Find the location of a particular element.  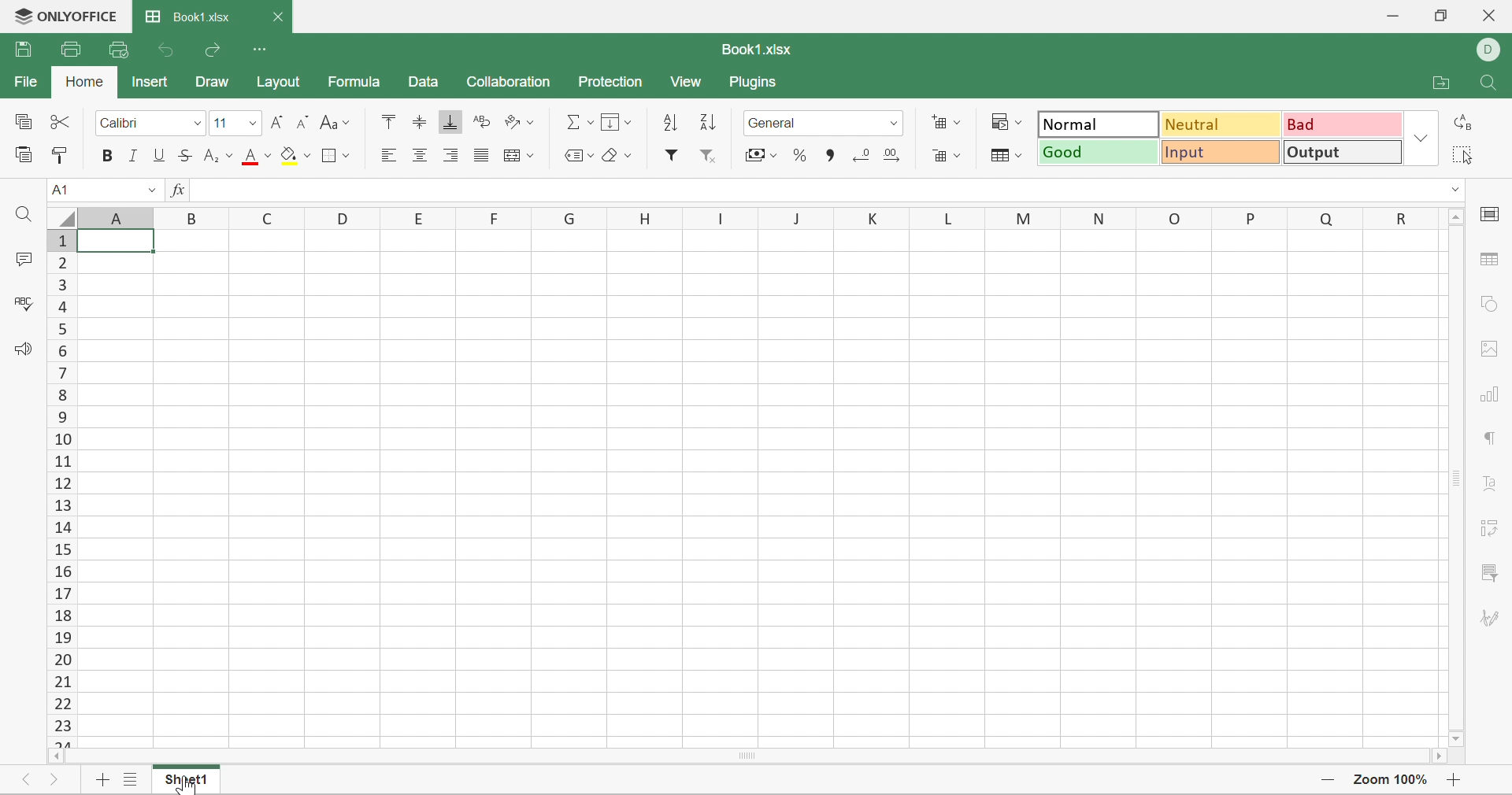

Wrap Text is located at coordinates (479, 123).